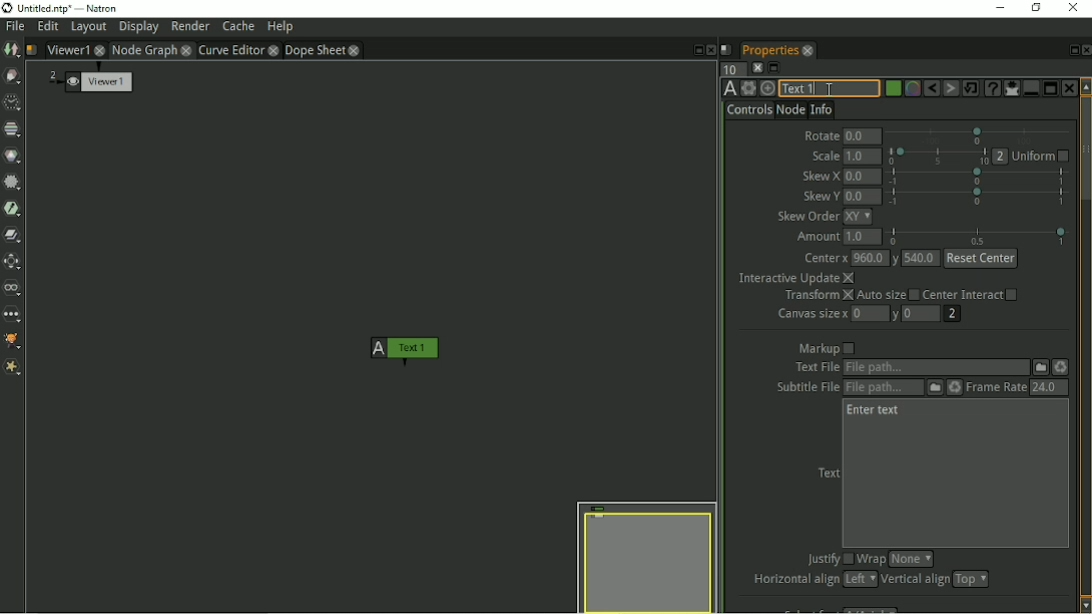 This screenshot has height=614, width=1092. I want to click on Skew Order, so click(805, 216).